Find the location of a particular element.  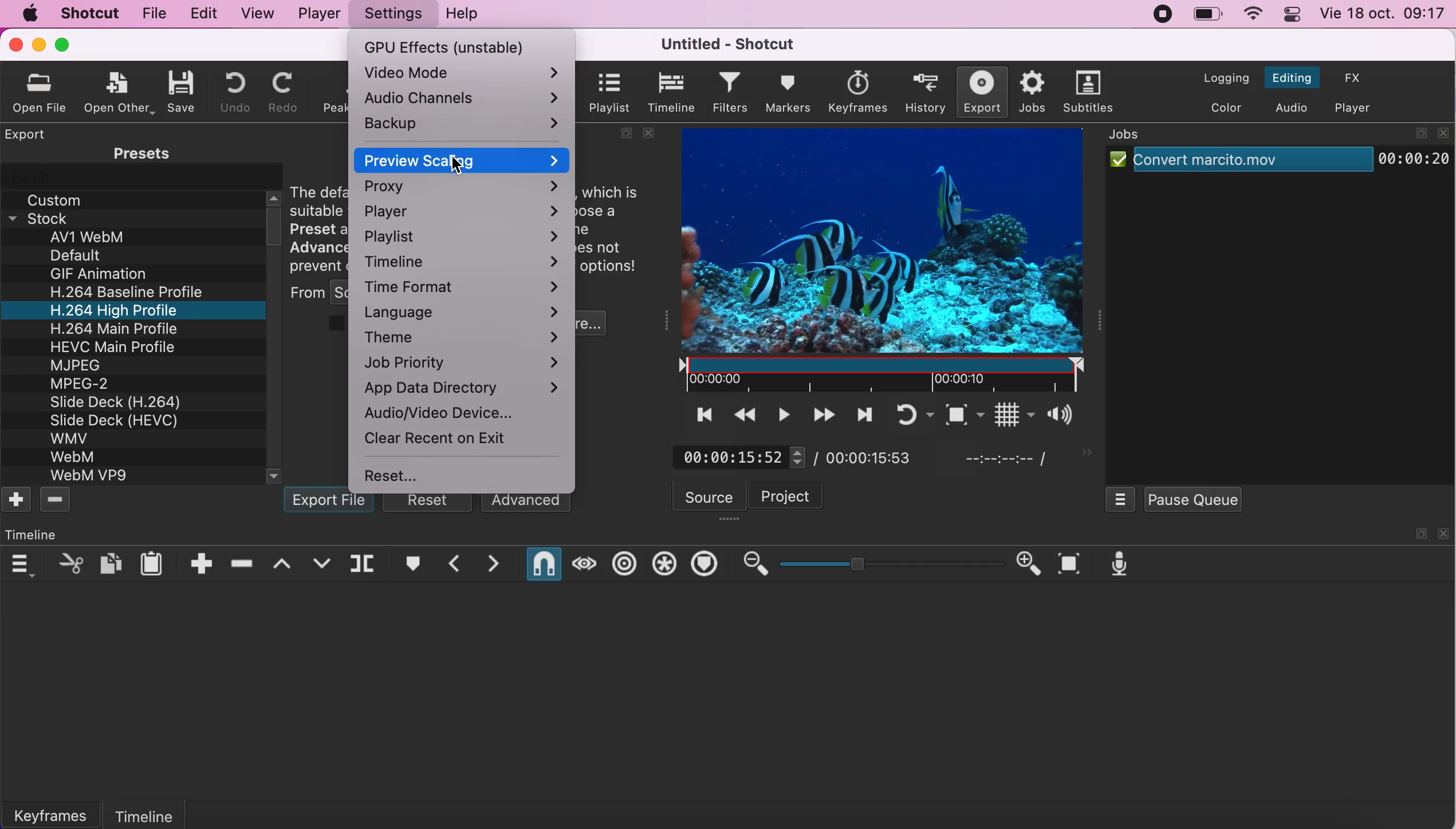

current position is located at coordinates (736, 456).